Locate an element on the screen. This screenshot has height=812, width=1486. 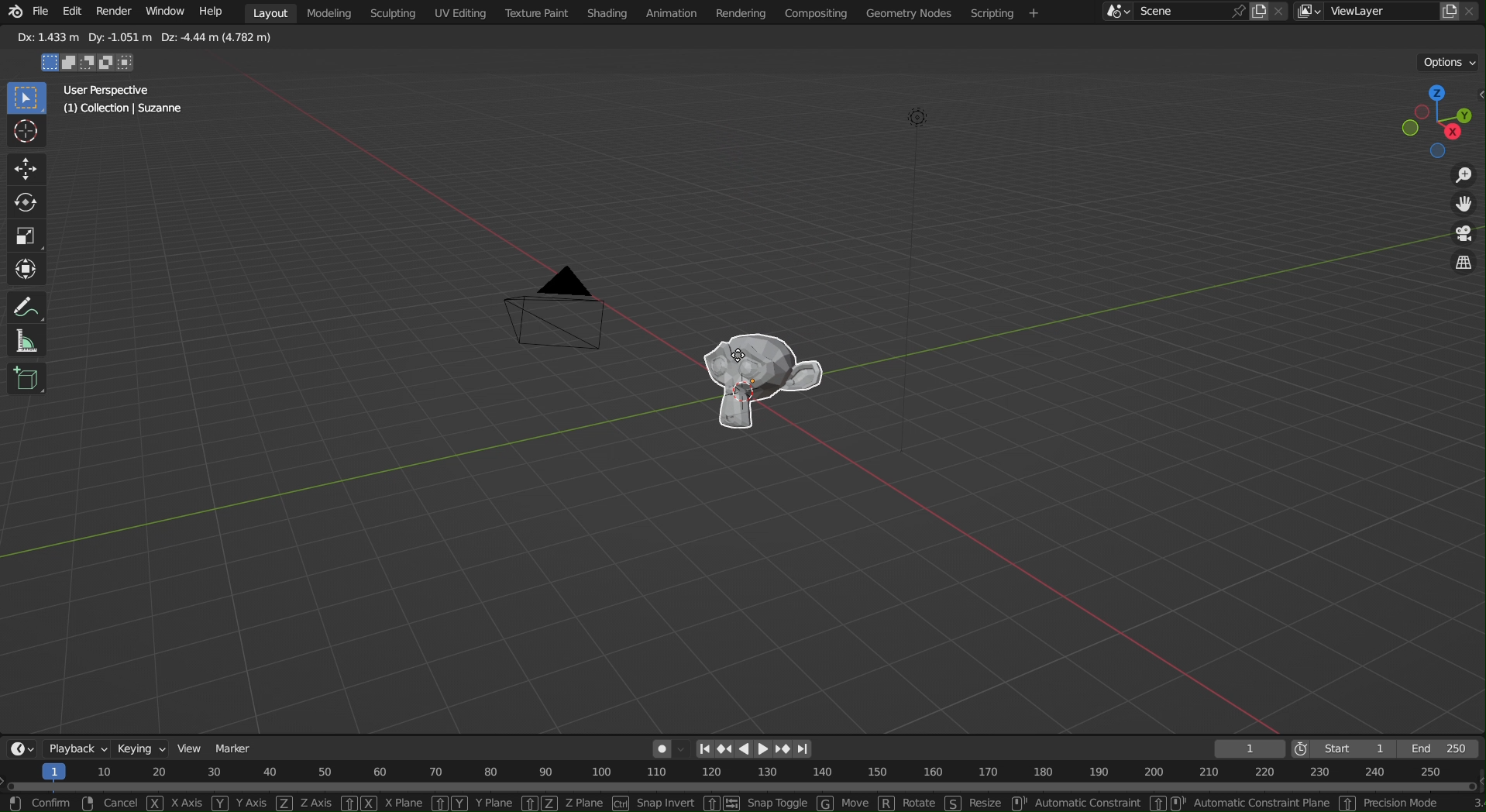
snap invert is located at coordinates (666, 803).